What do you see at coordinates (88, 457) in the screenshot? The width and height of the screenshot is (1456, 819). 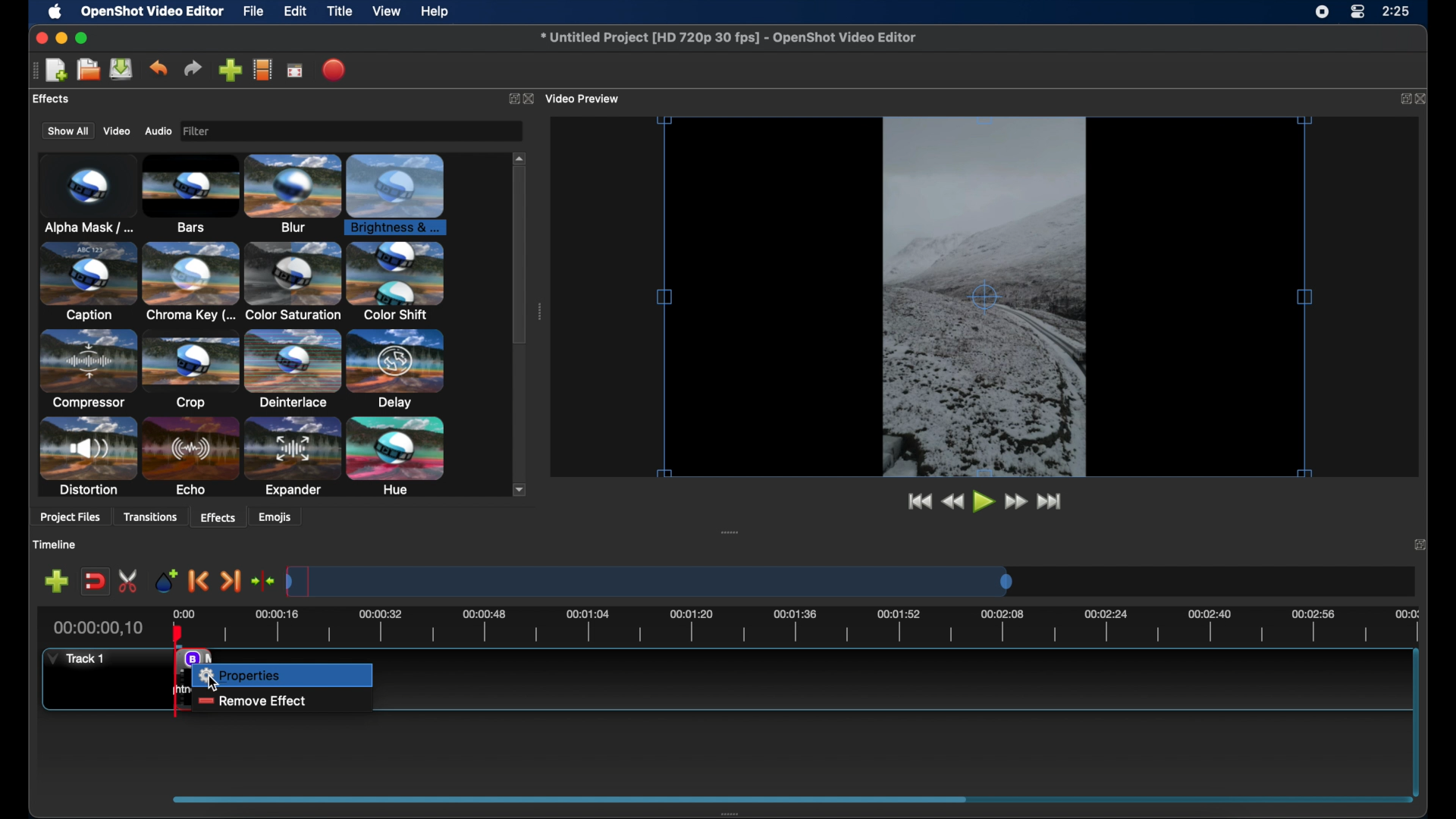 I see `distortion` at bounding box center [88, 457].